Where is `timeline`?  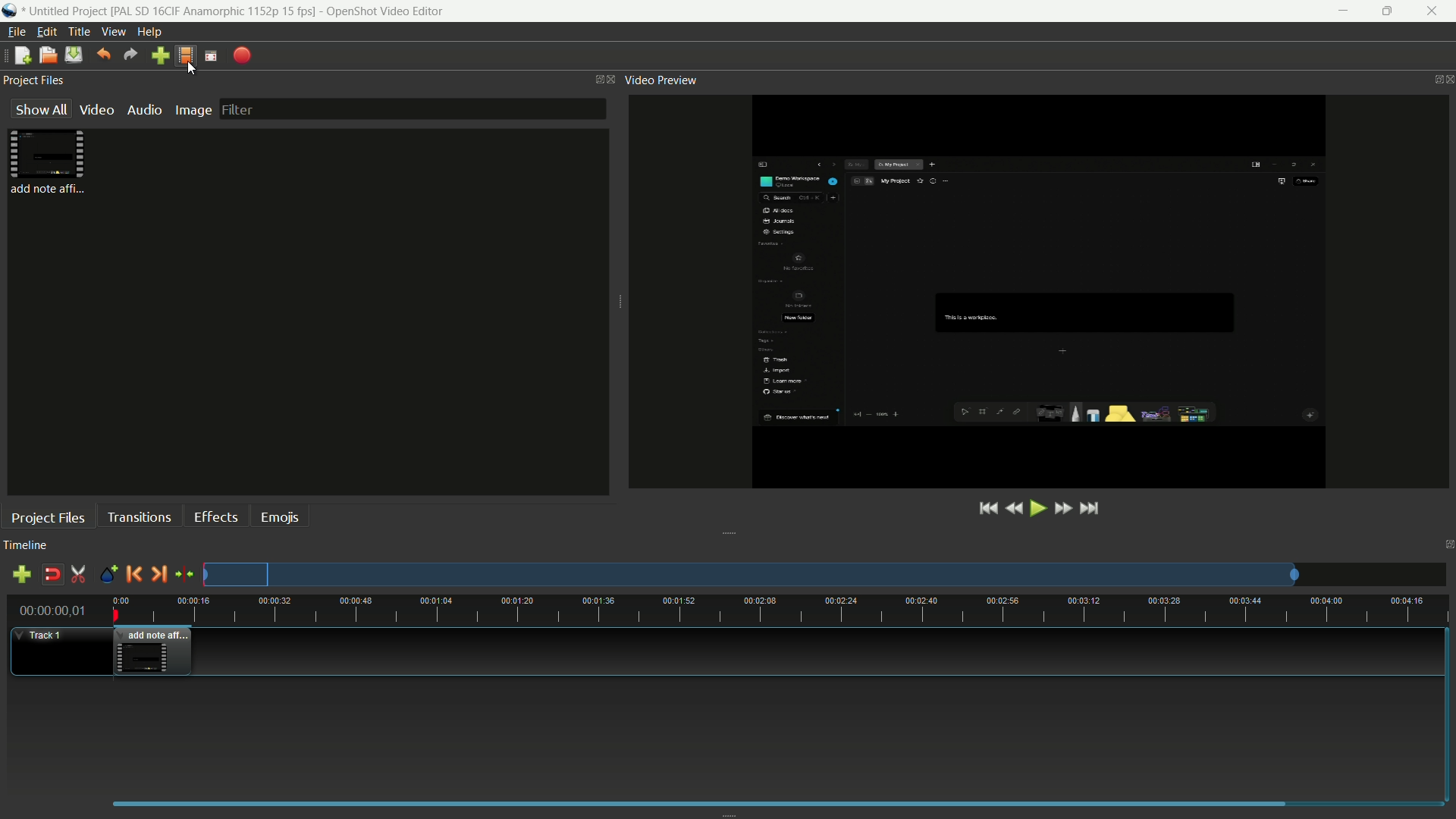
timeline is located at coordinates (26, 547).